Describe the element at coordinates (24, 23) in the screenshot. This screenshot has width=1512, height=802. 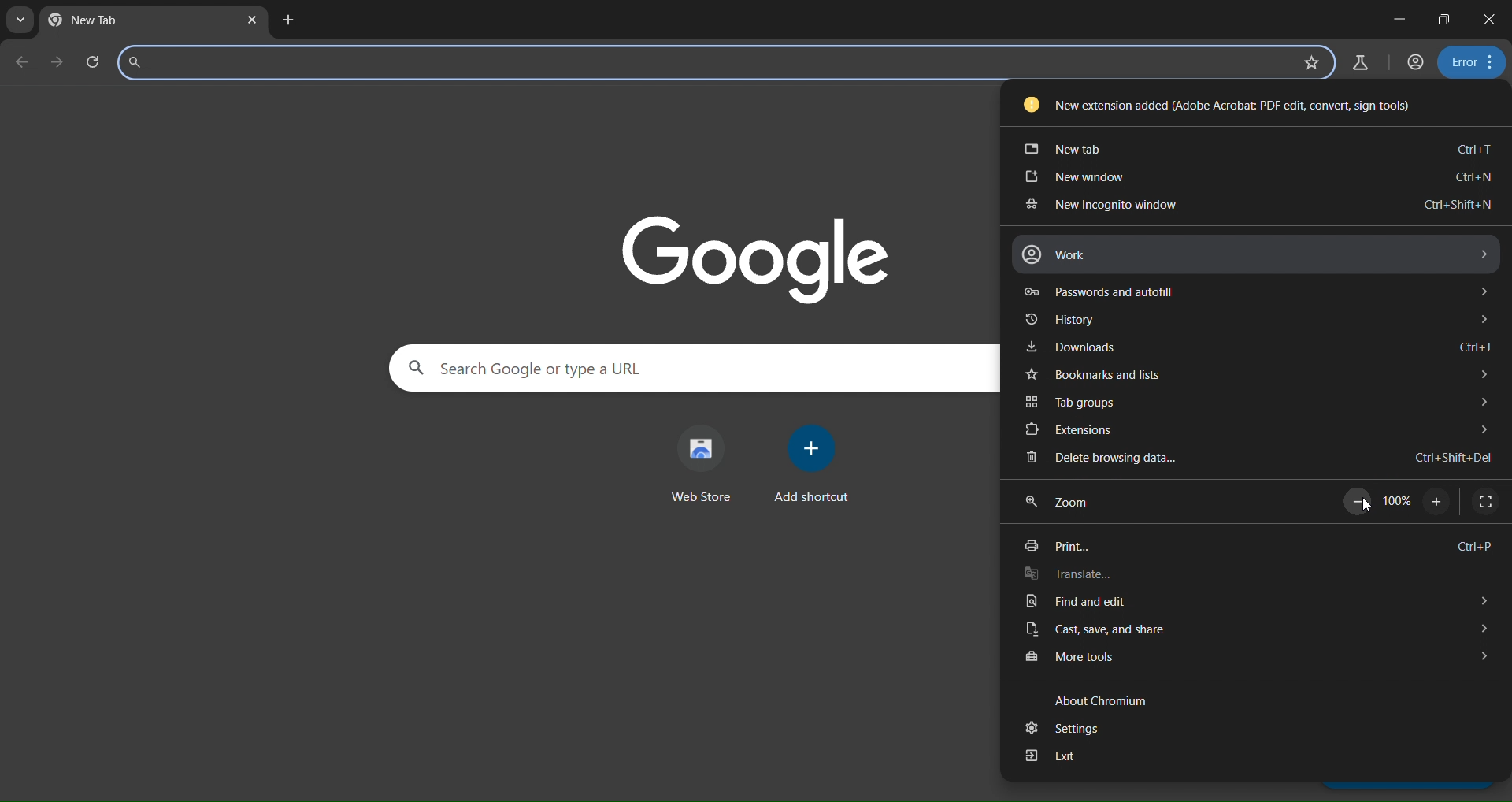
I see `search tabs` at that location.